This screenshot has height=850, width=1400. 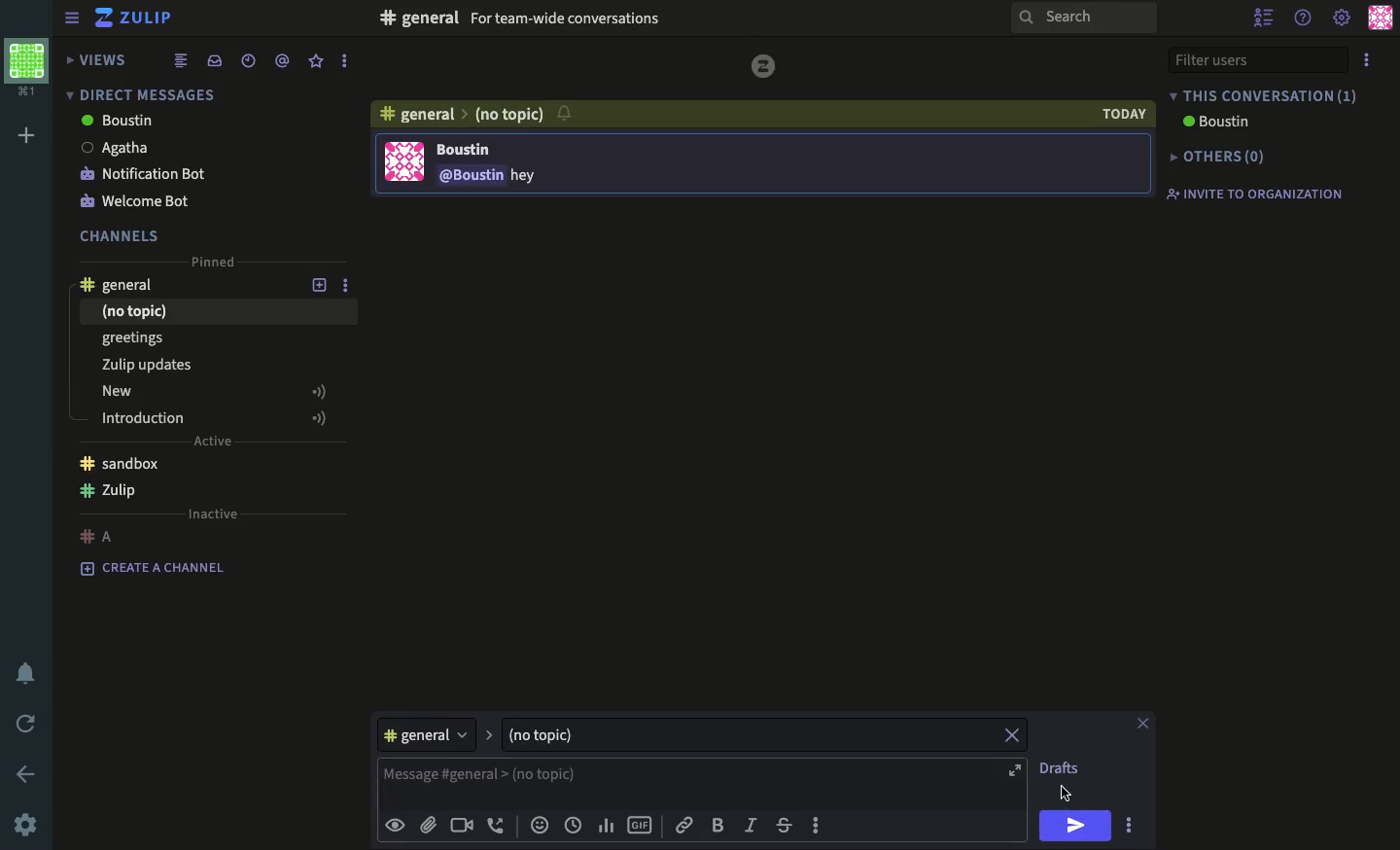 I want to click on tagged, so click(x=281, y=60).